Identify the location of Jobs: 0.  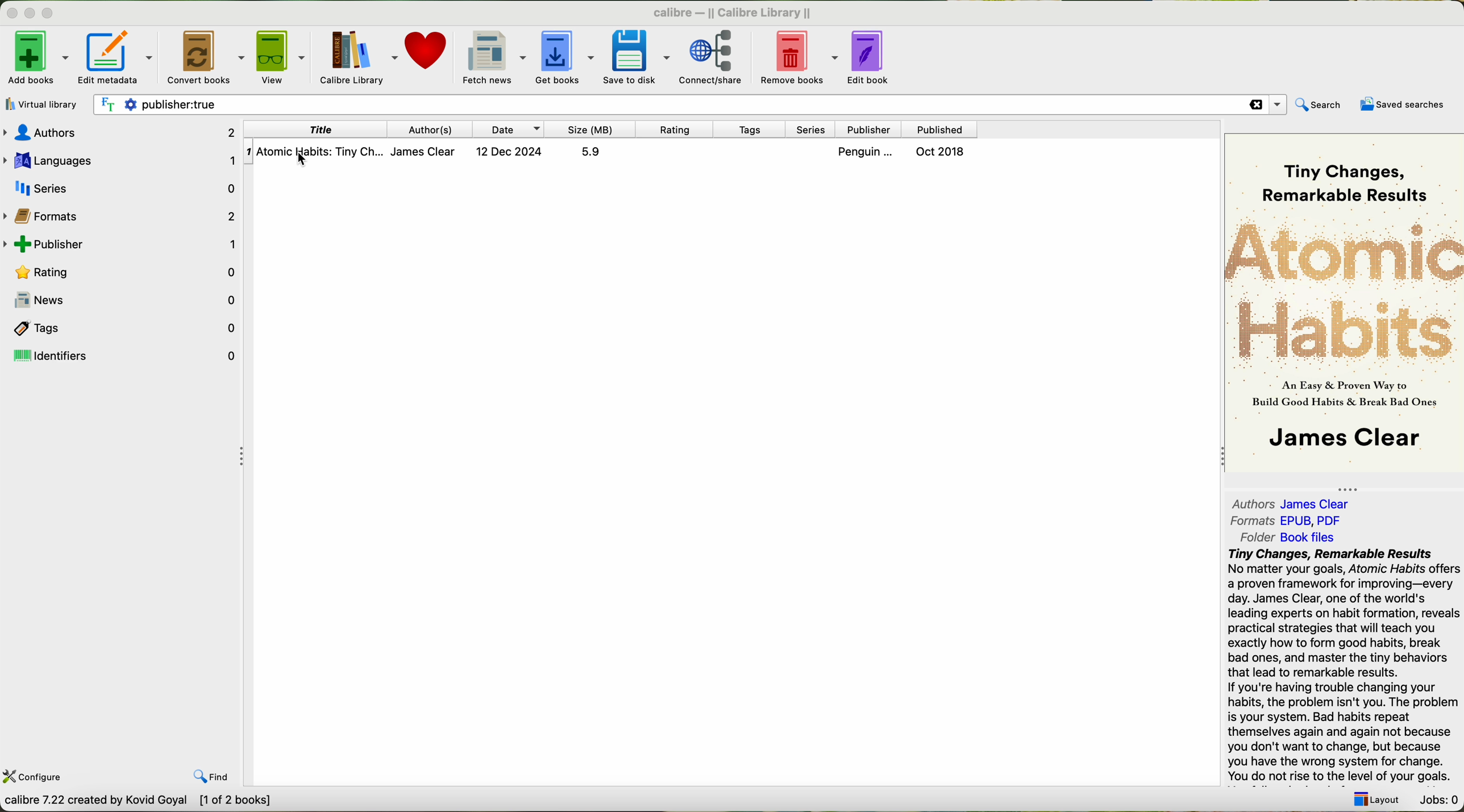
(1438, 801).